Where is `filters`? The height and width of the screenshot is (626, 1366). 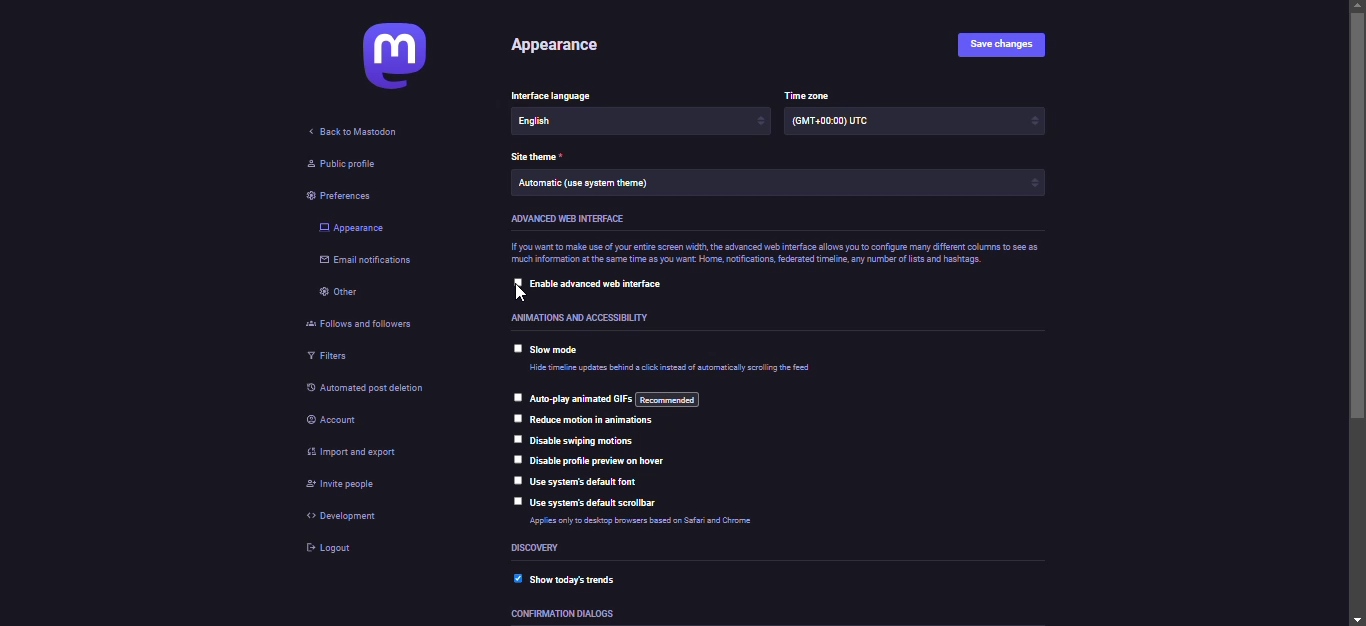
filters is located at coordinates (328, 359).